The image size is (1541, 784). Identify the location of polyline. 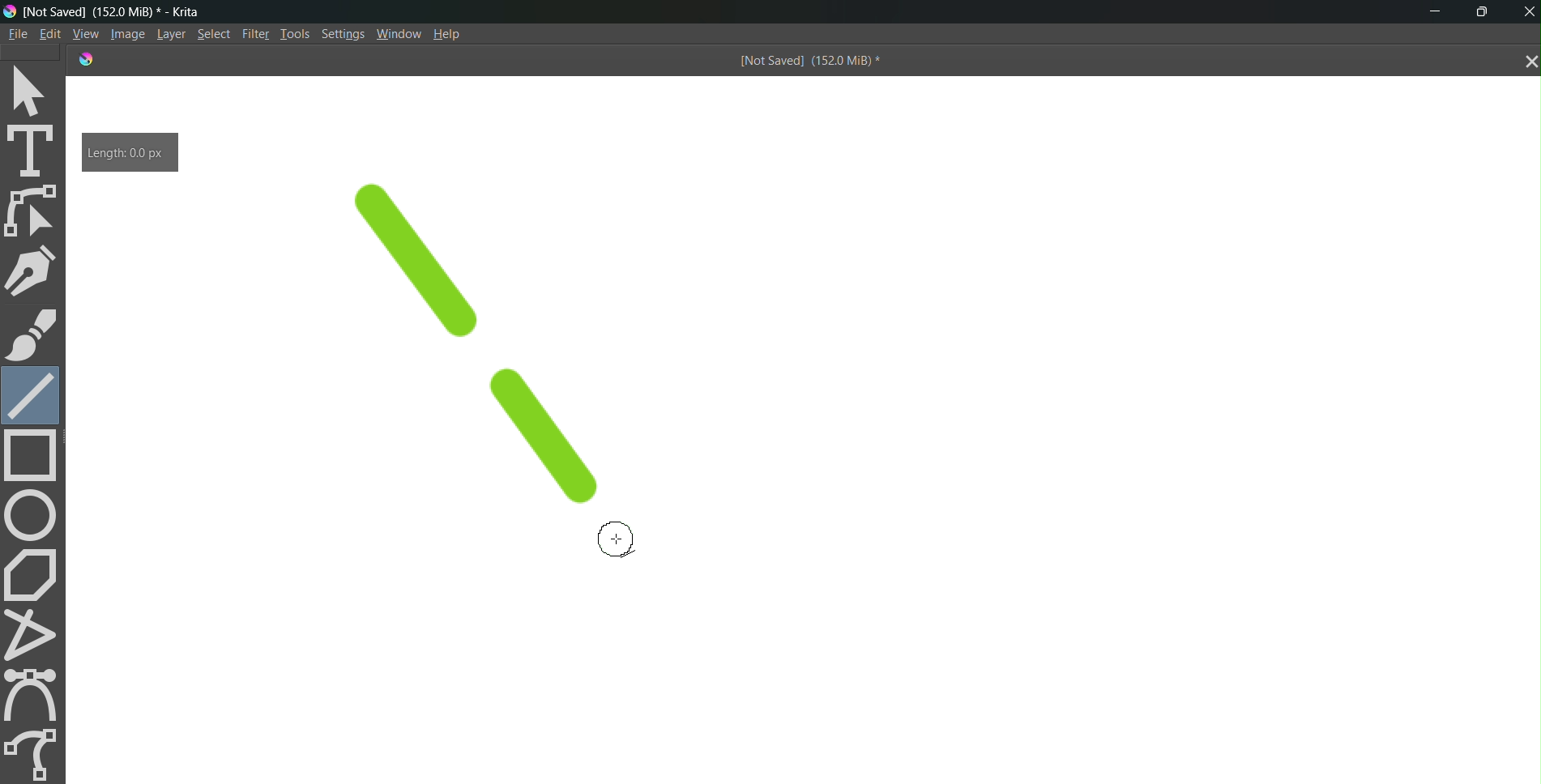
(36, 634).